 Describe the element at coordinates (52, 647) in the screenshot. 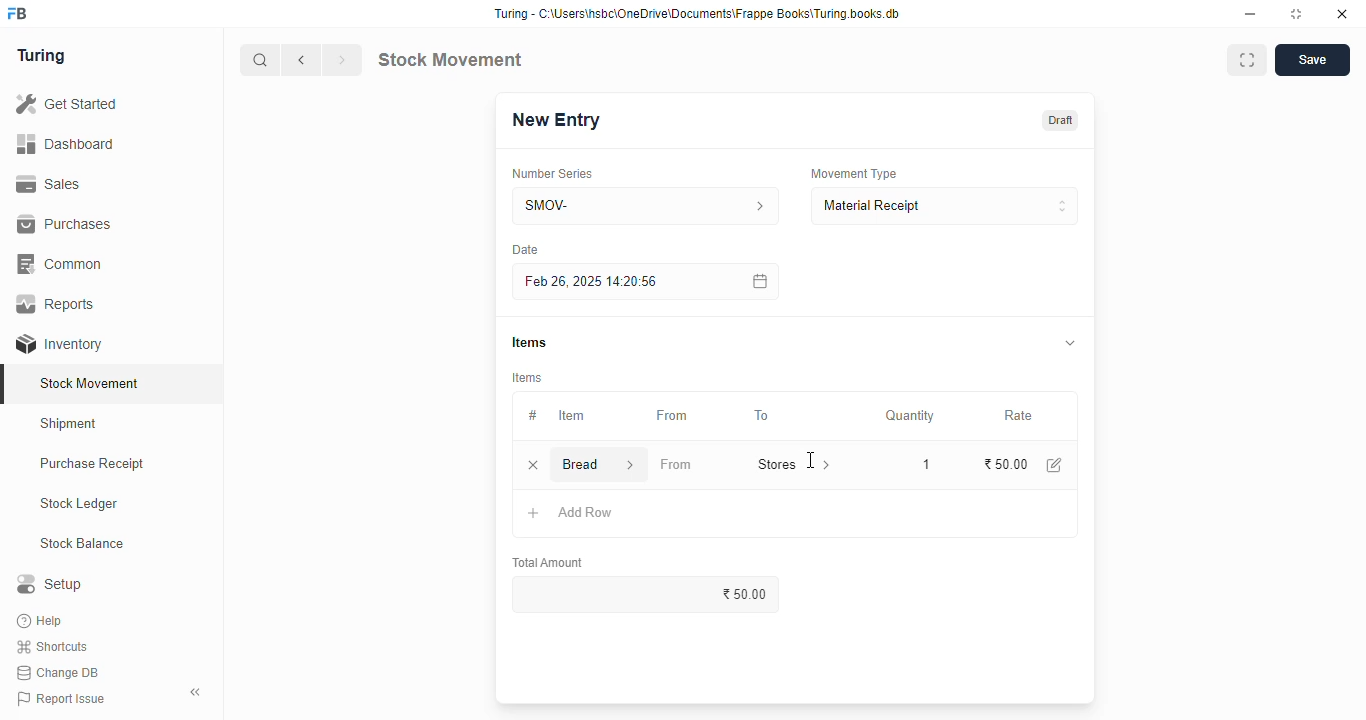

I see `shortcuts` at that location.